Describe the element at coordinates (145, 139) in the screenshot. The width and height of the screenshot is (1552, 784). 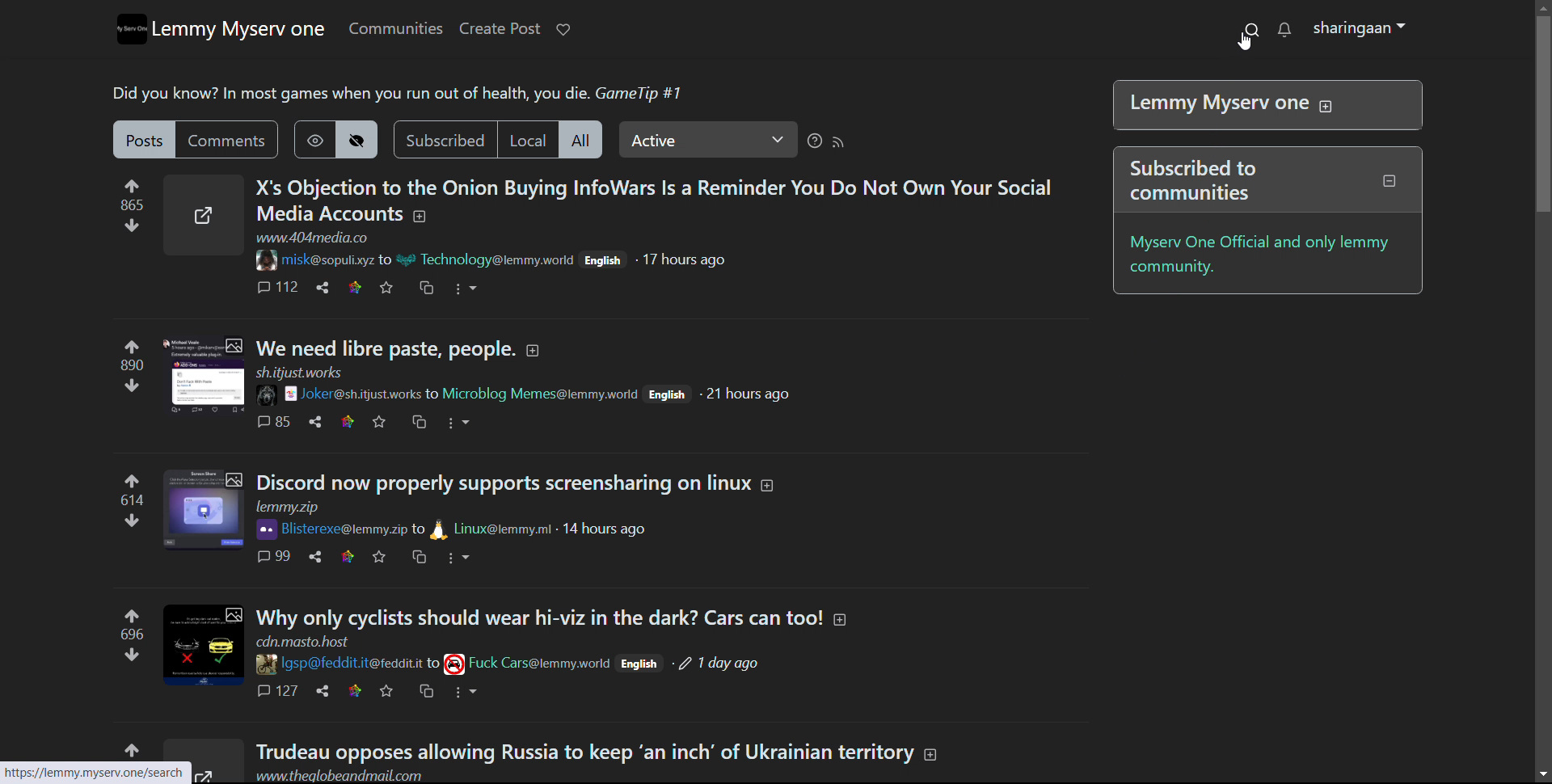
I see `posts` at that location.